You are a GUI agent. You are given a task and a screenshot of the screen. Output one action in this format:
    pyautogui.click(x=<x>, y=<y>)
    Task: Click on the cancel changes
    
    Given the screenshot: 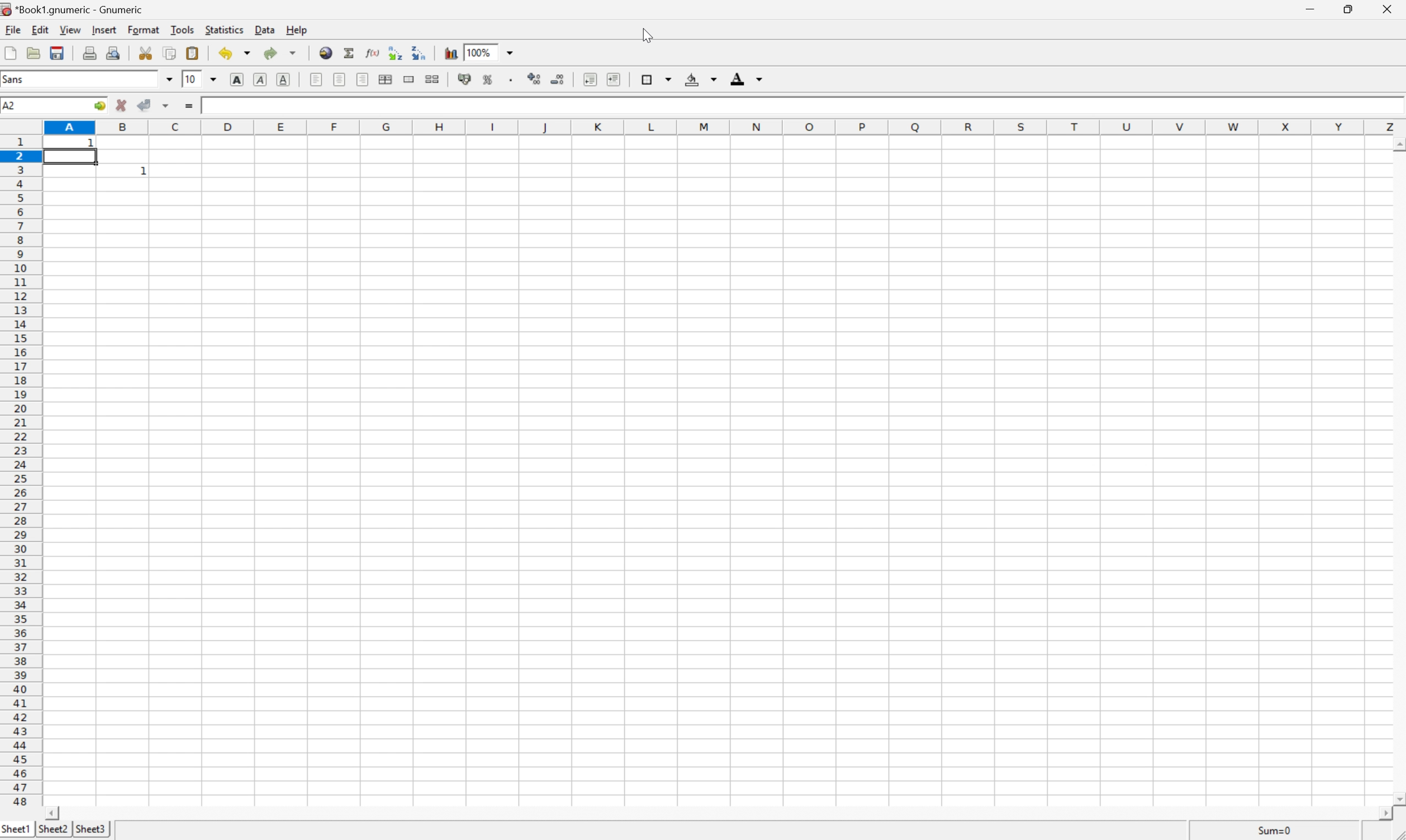 What is the action you would take?
    pyautogui.click(x=123, y=104)
    